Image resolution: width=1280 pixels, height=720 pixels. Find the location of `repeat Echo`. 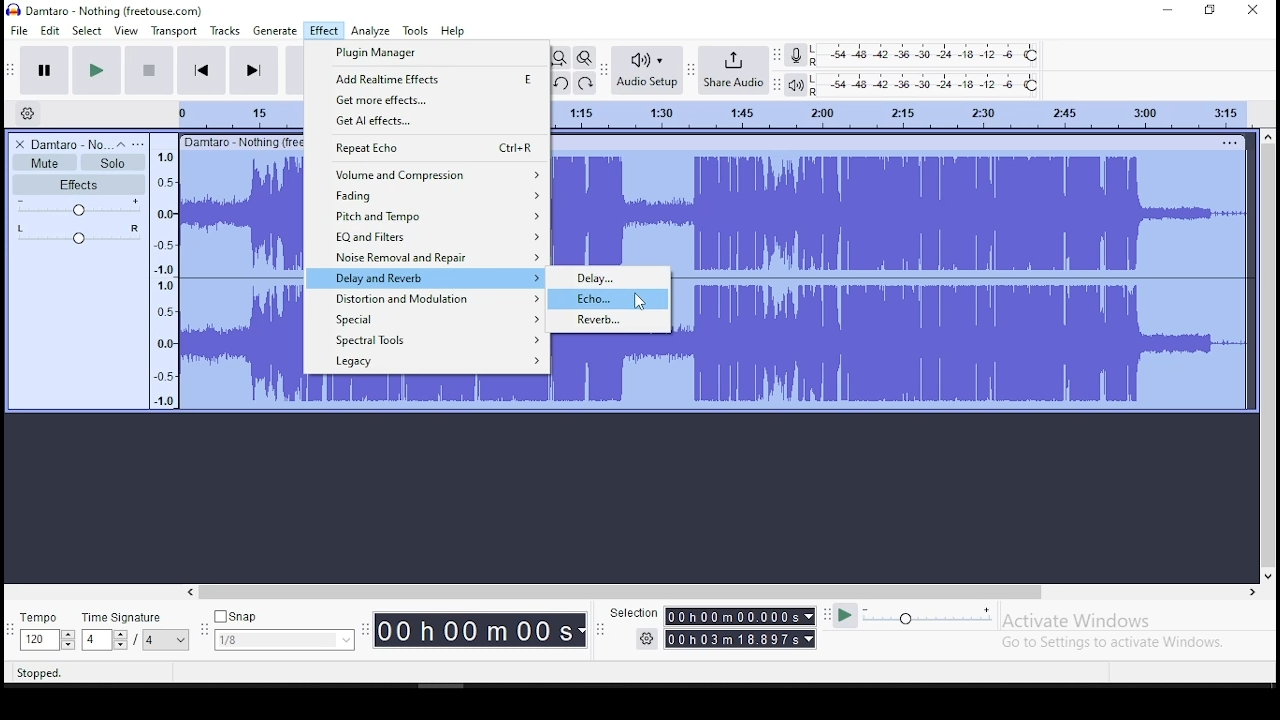

repeat Echo is located at coordinates (425, 148).